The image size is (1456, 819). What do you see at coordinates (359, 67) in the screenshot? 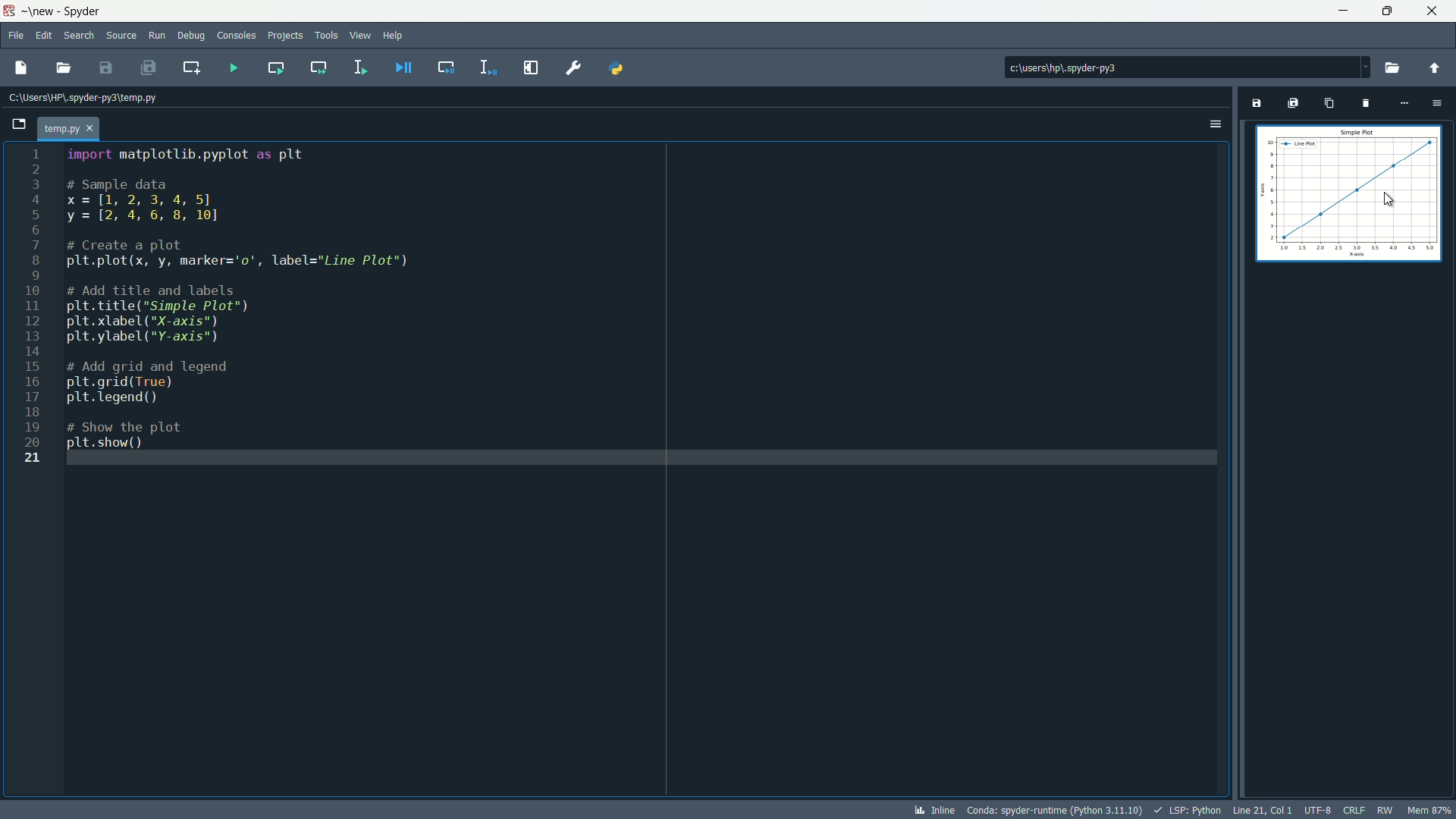
I see `run selection or current line` at bounding box center [359, 67].